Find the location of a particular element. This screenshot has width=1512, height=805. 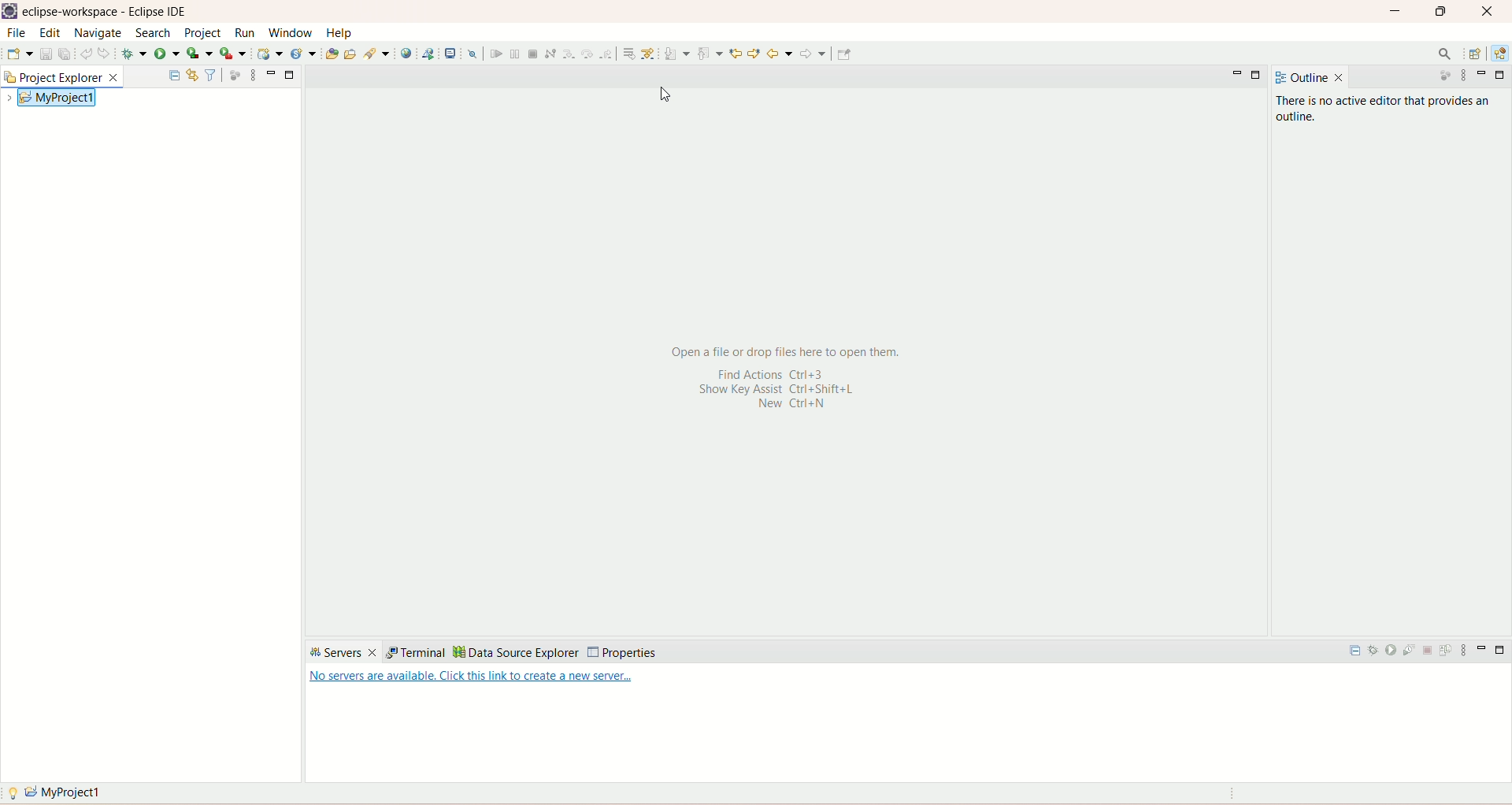

minimize is located at coordinates (1397, 10).